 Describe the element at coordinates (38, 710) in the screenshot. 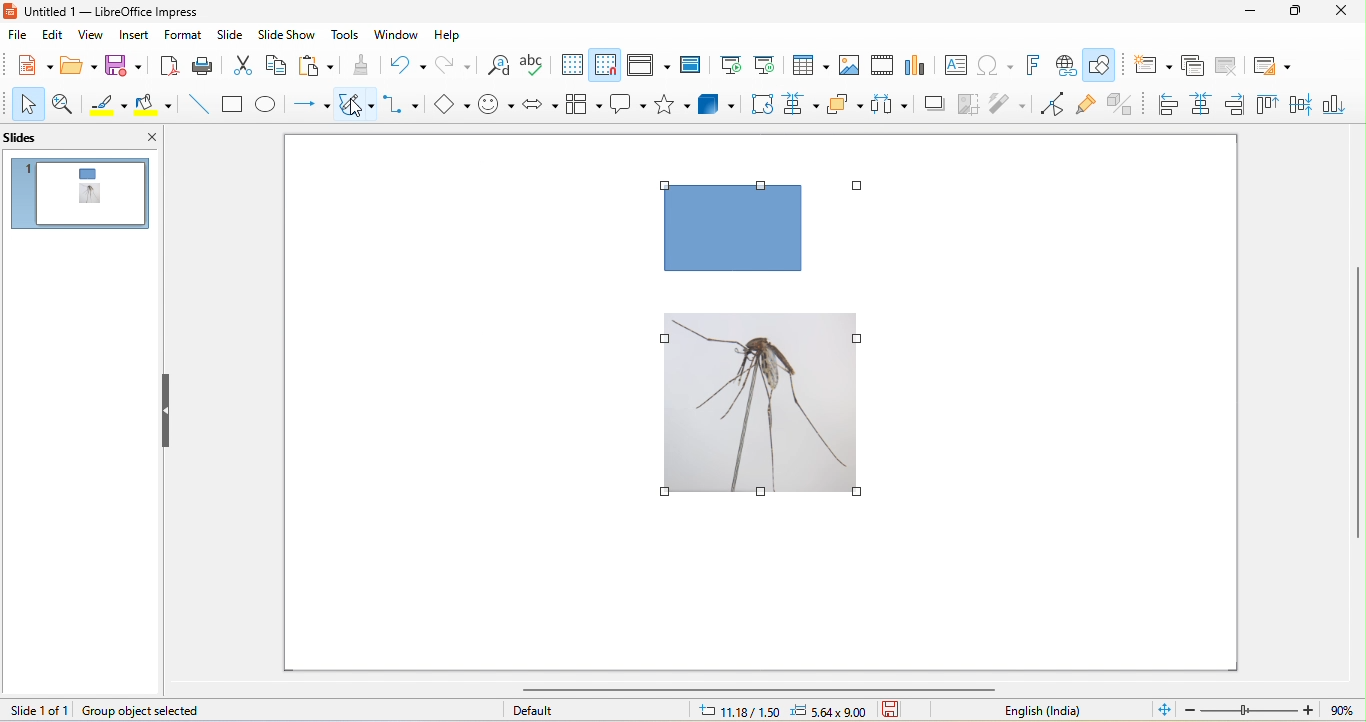

I see `slide 1 of 1` at that location.